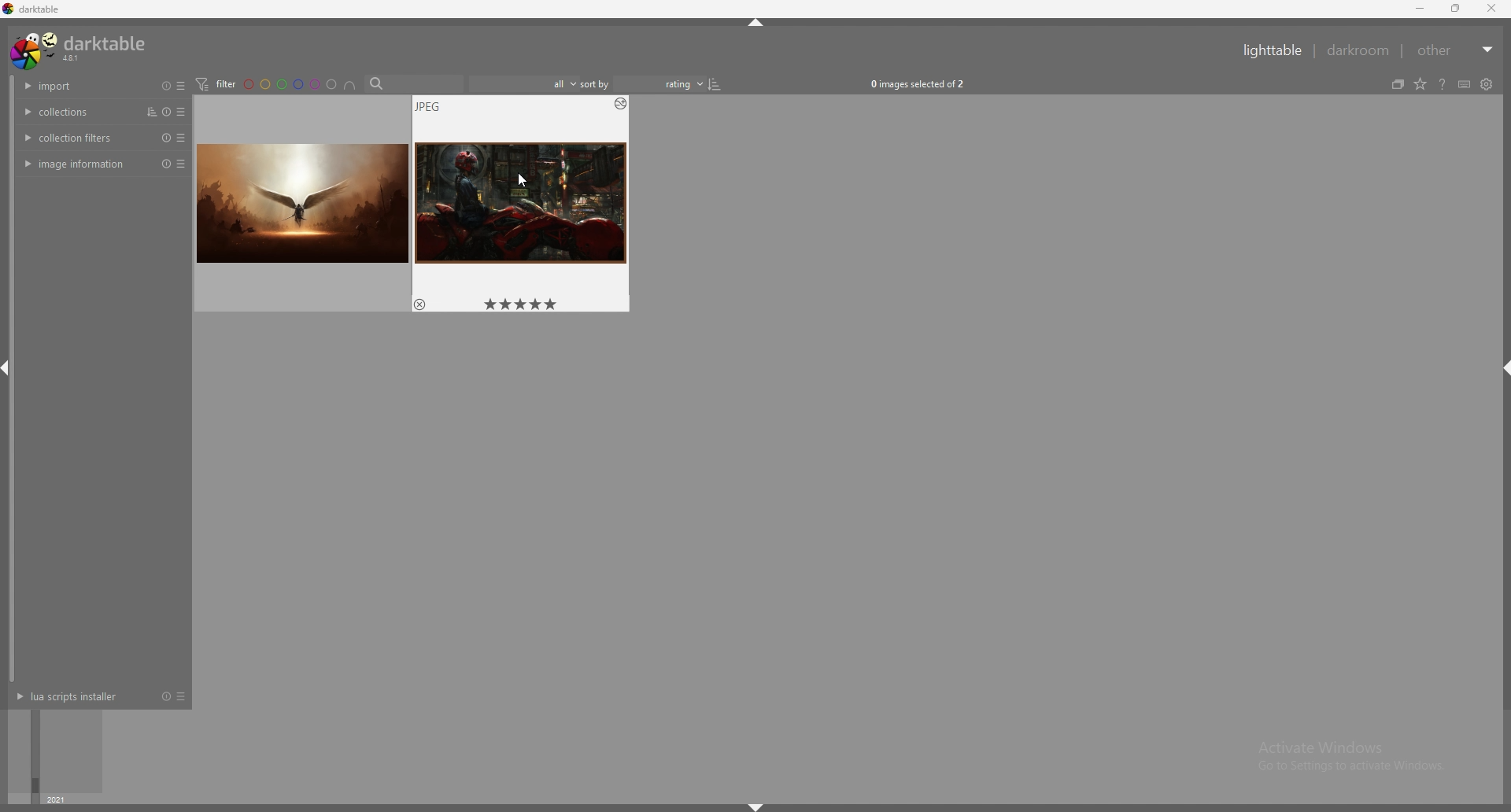 The height and width of the screenshot is (812, 1511). I want to click on resize, so click(1455, 9).